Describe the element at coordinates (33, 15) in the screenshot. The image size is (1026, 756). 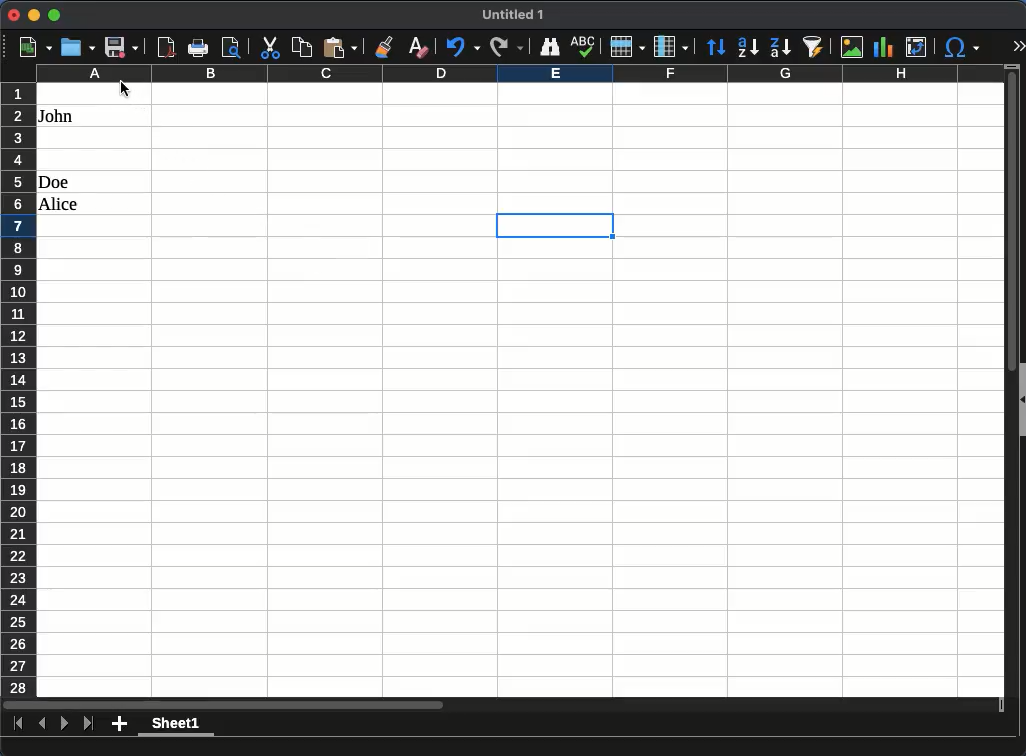
I see `minimize` at that location.